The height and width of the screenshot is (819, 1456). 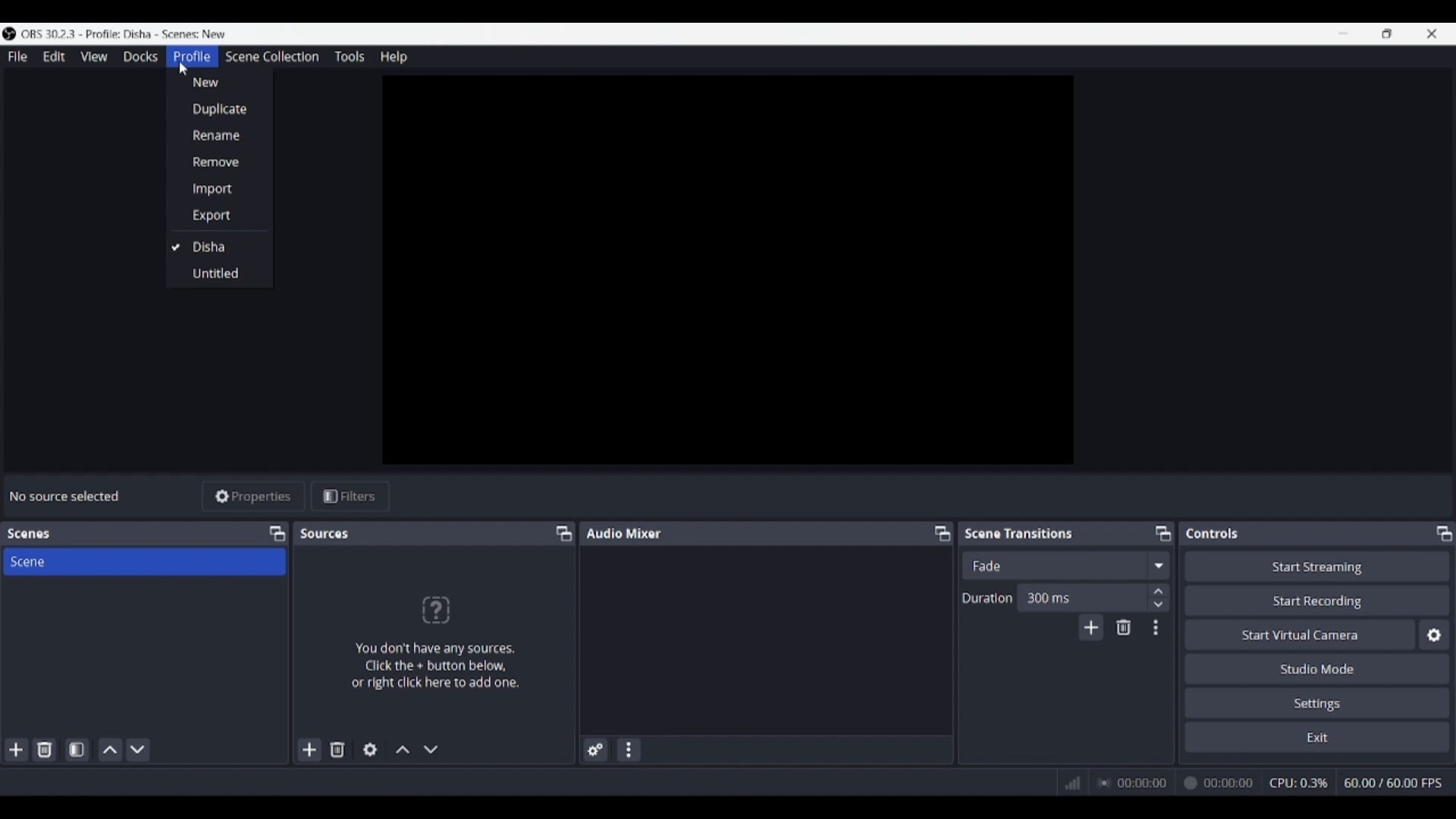 What do you see at coordinates (220, 149) in the screenshot?
I see `Options` at bounding box center [220, 149].